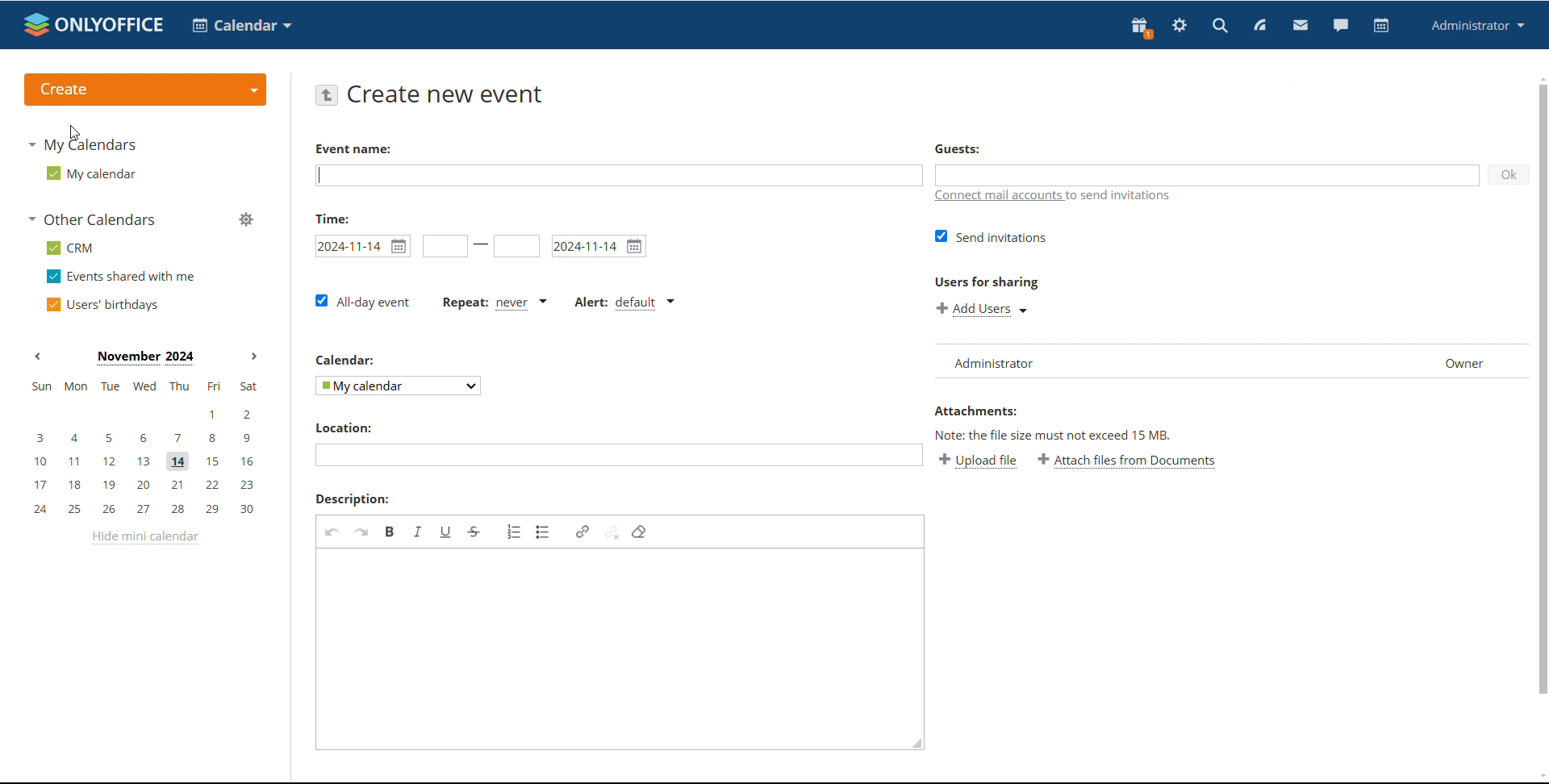  Describe the element at coordinates (493, 302) in the screenshot. I see `event repetition` at that location.